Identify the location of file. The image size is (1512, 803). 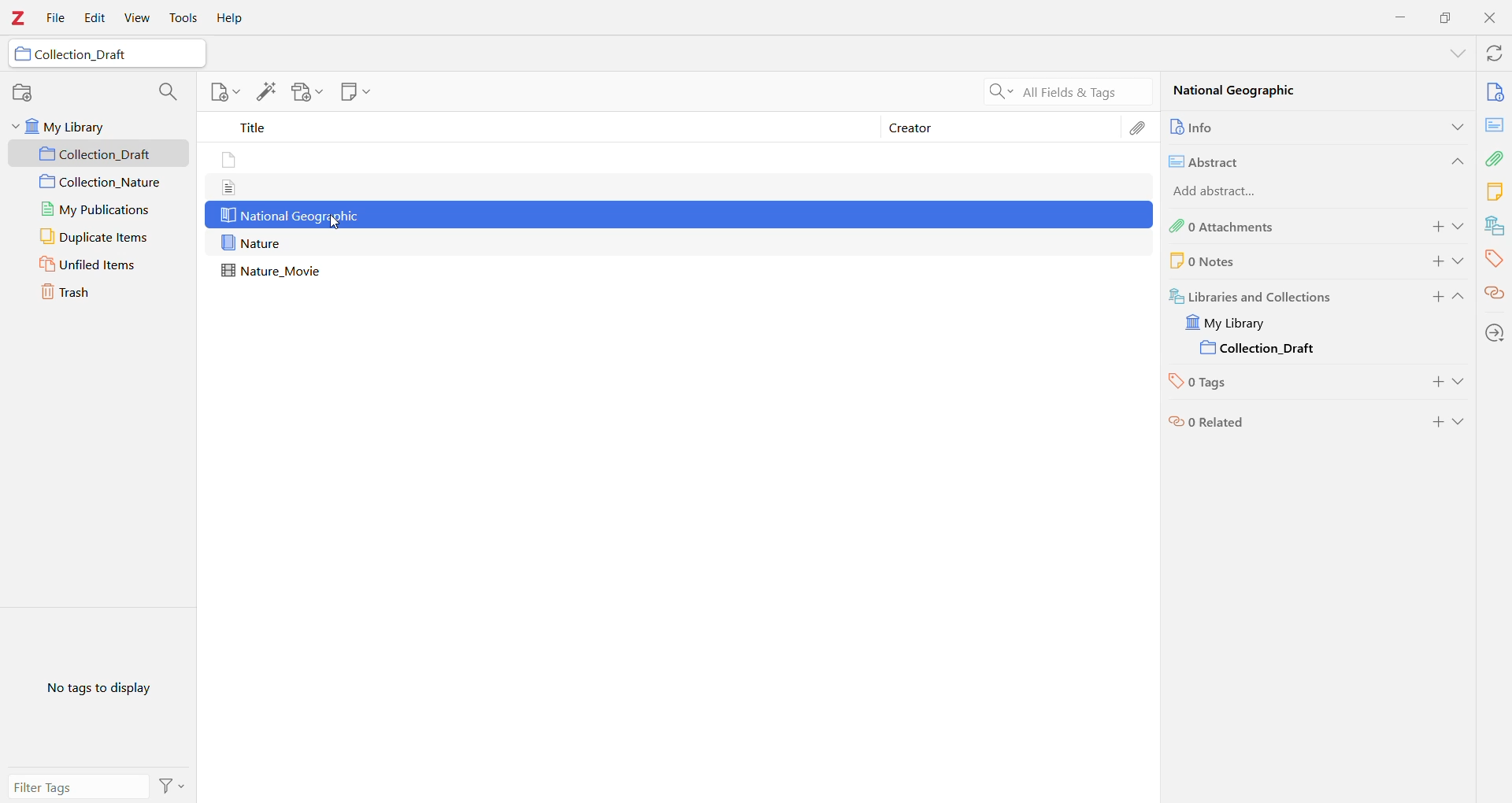
(231, 161).